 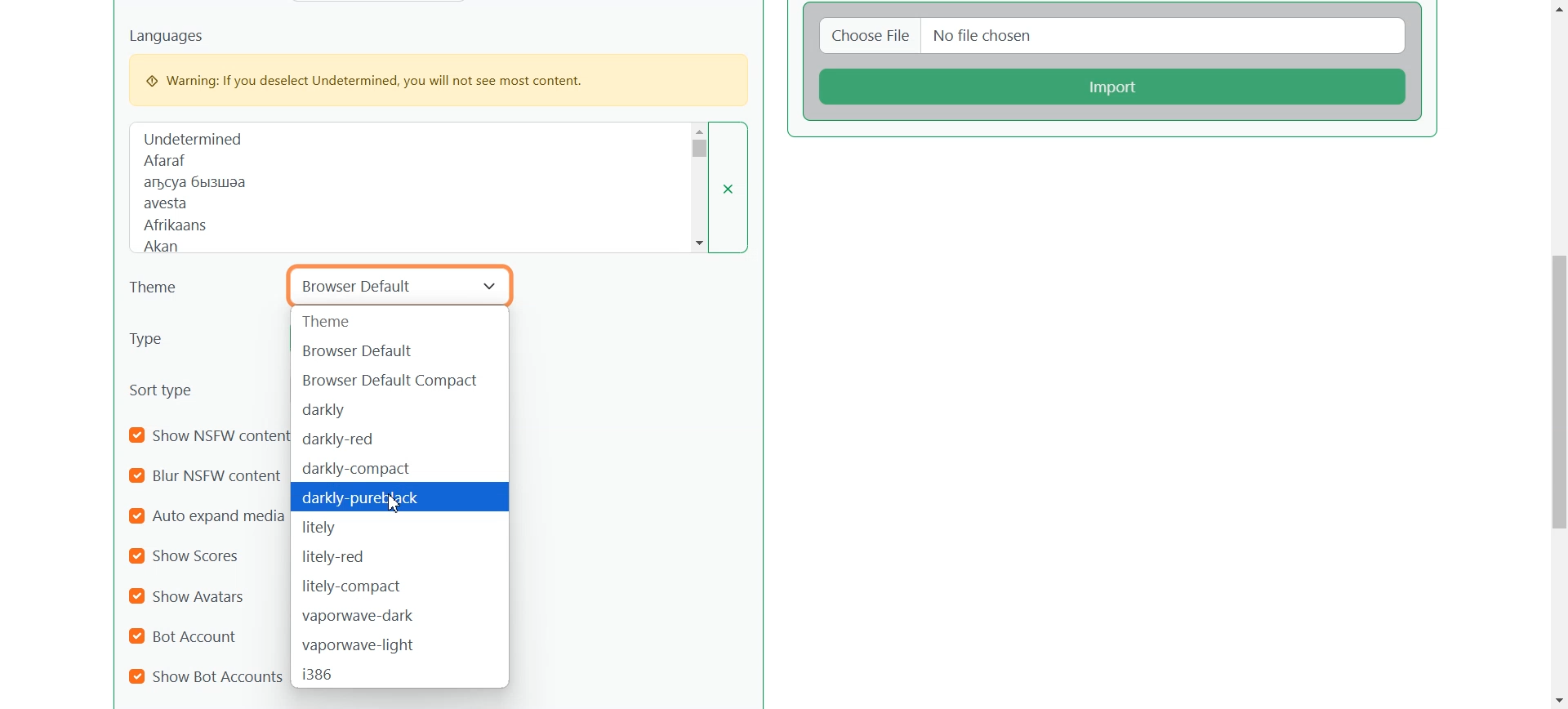 I want to click on Languages, so click(x=413, y=186).